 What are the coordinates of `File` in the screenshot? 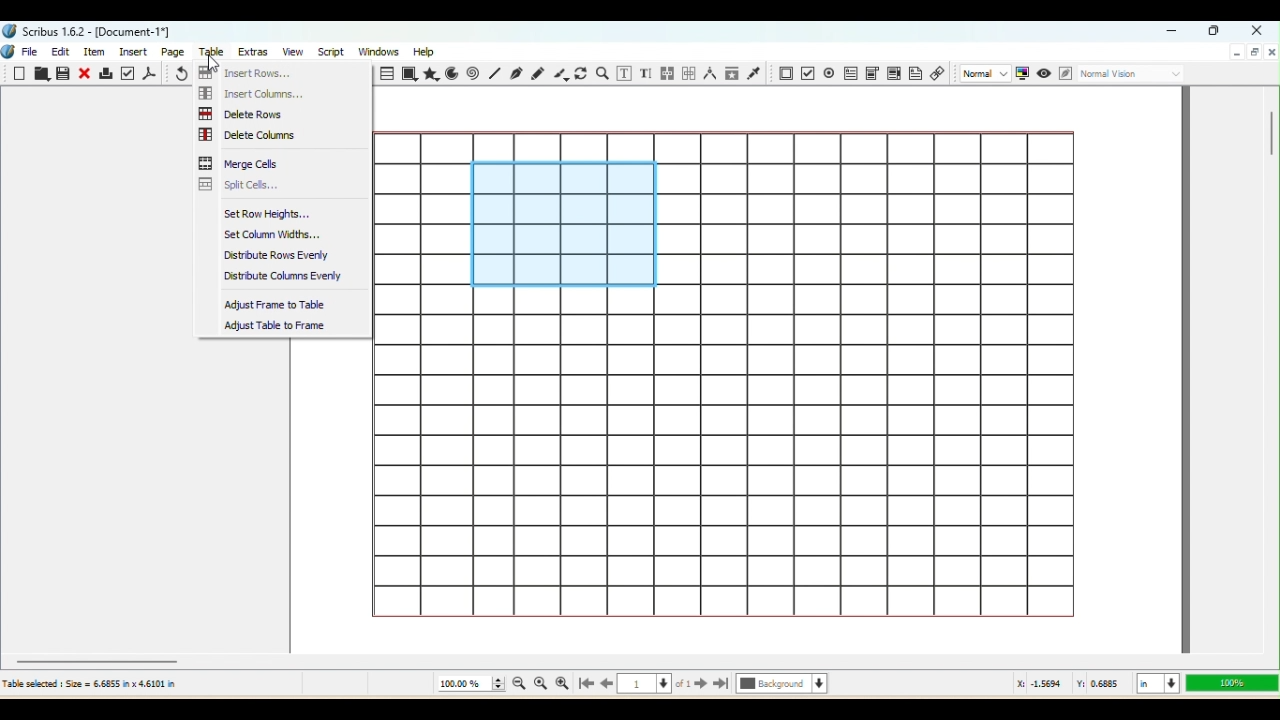 It's located at (33, 50).